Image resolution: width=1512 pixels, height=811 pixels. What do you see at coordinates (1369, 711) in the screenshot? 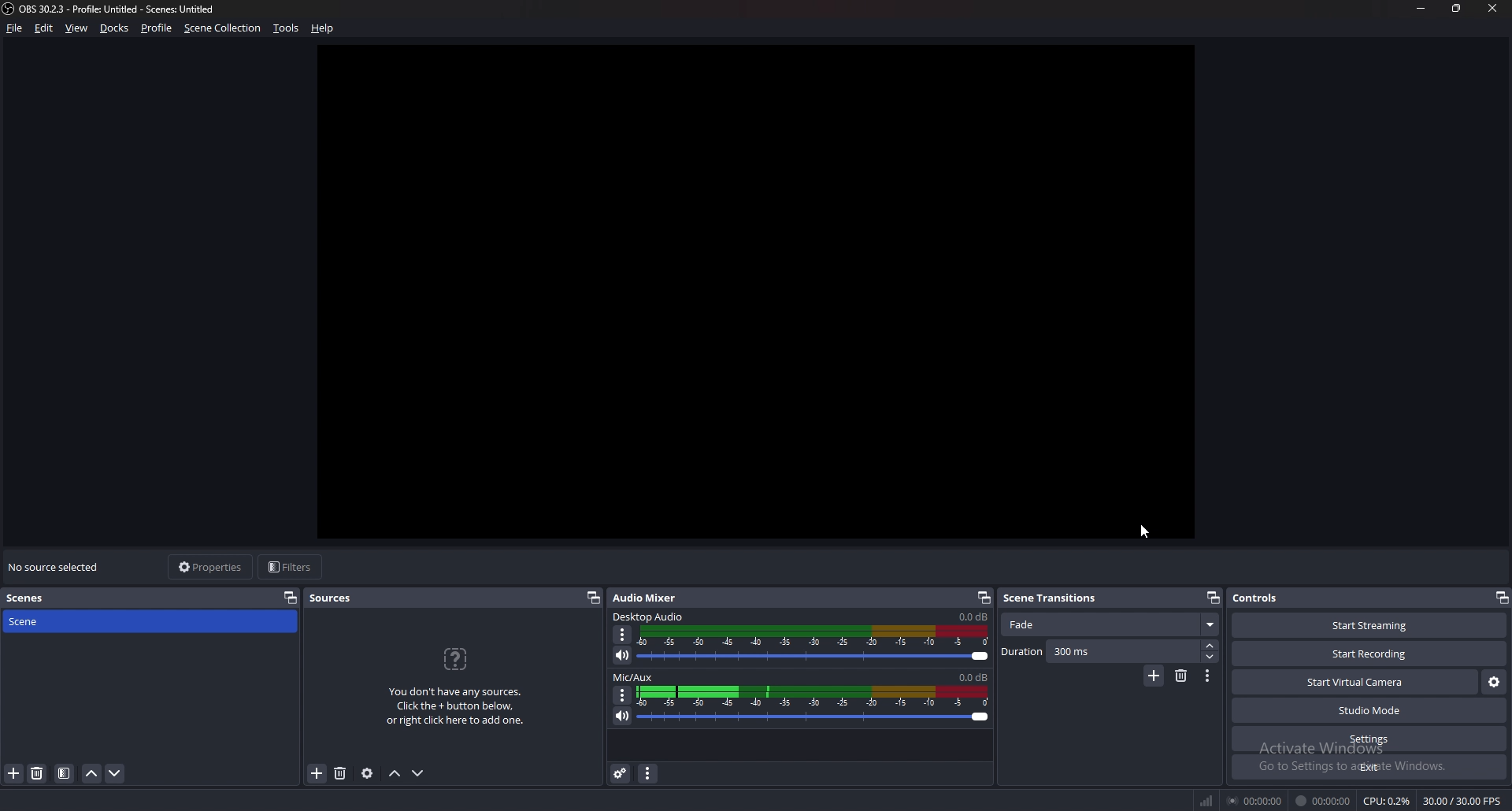
I see `studio mode` at bounding box center [1369, 711].